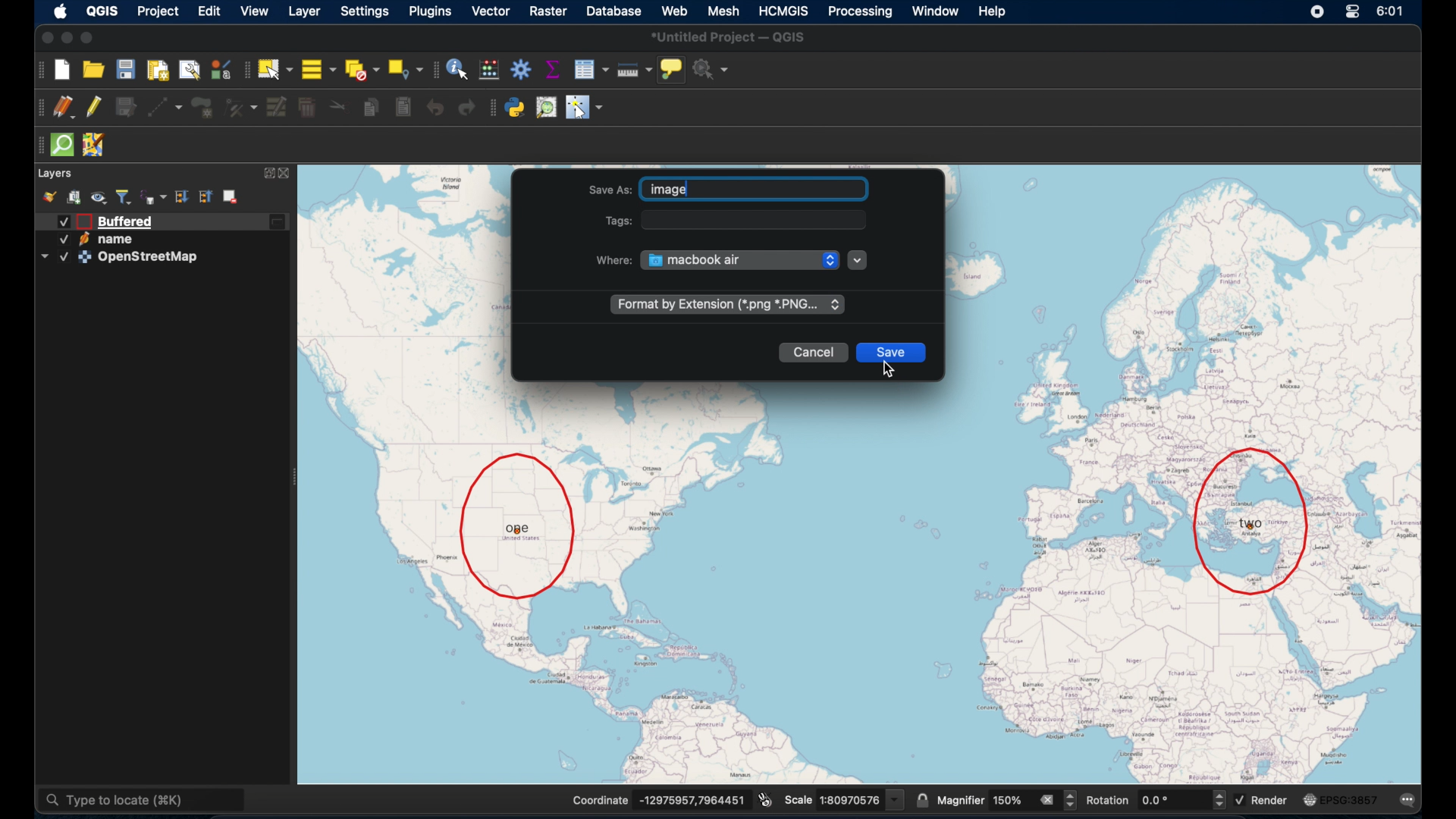 The image size is (1456, 819). What do you see at coordinates (64, 69) in the screenshot?
I see `new project` at bounding box center [64, 69].